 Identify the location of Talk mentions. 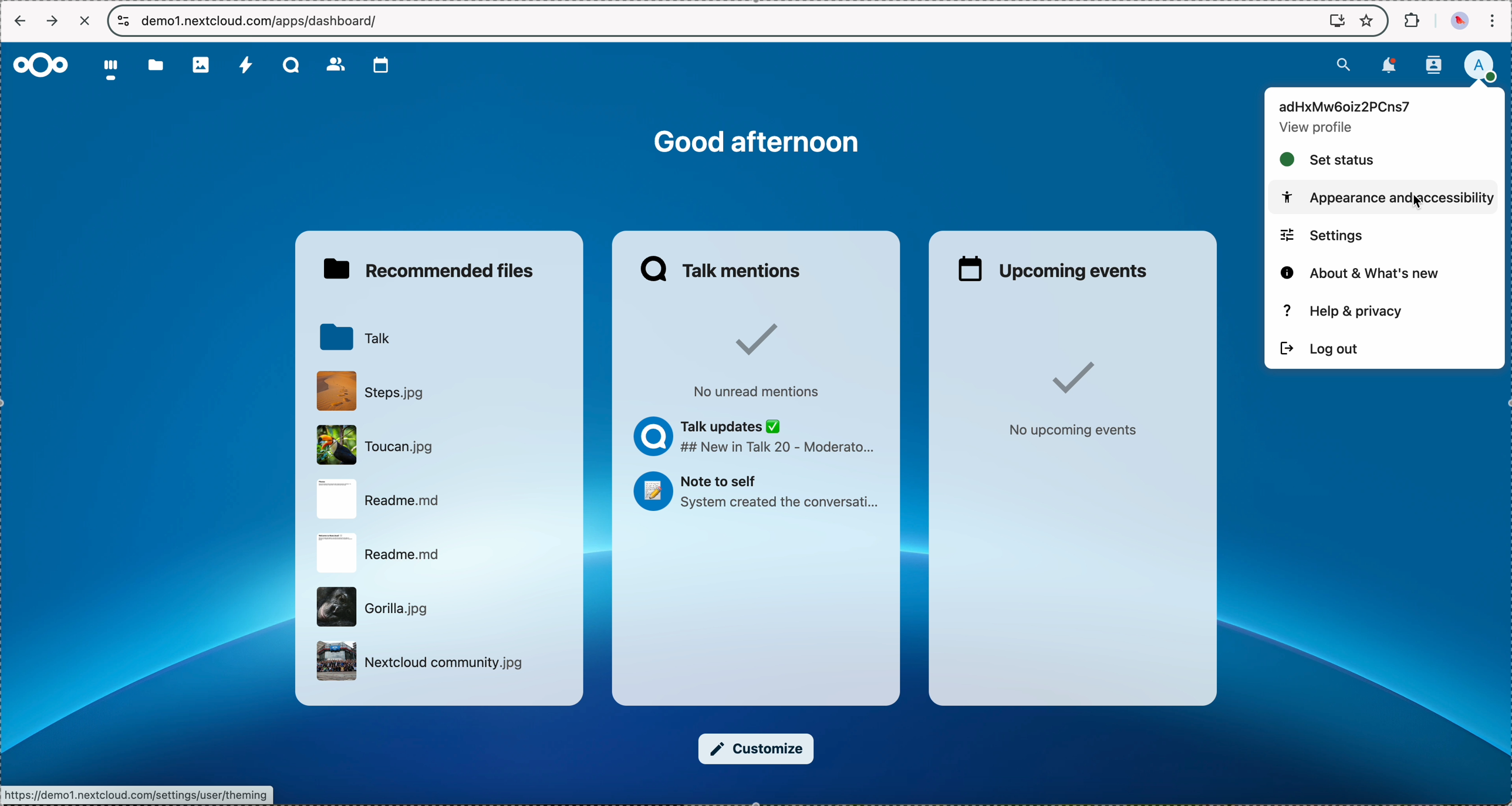
(724, 269).